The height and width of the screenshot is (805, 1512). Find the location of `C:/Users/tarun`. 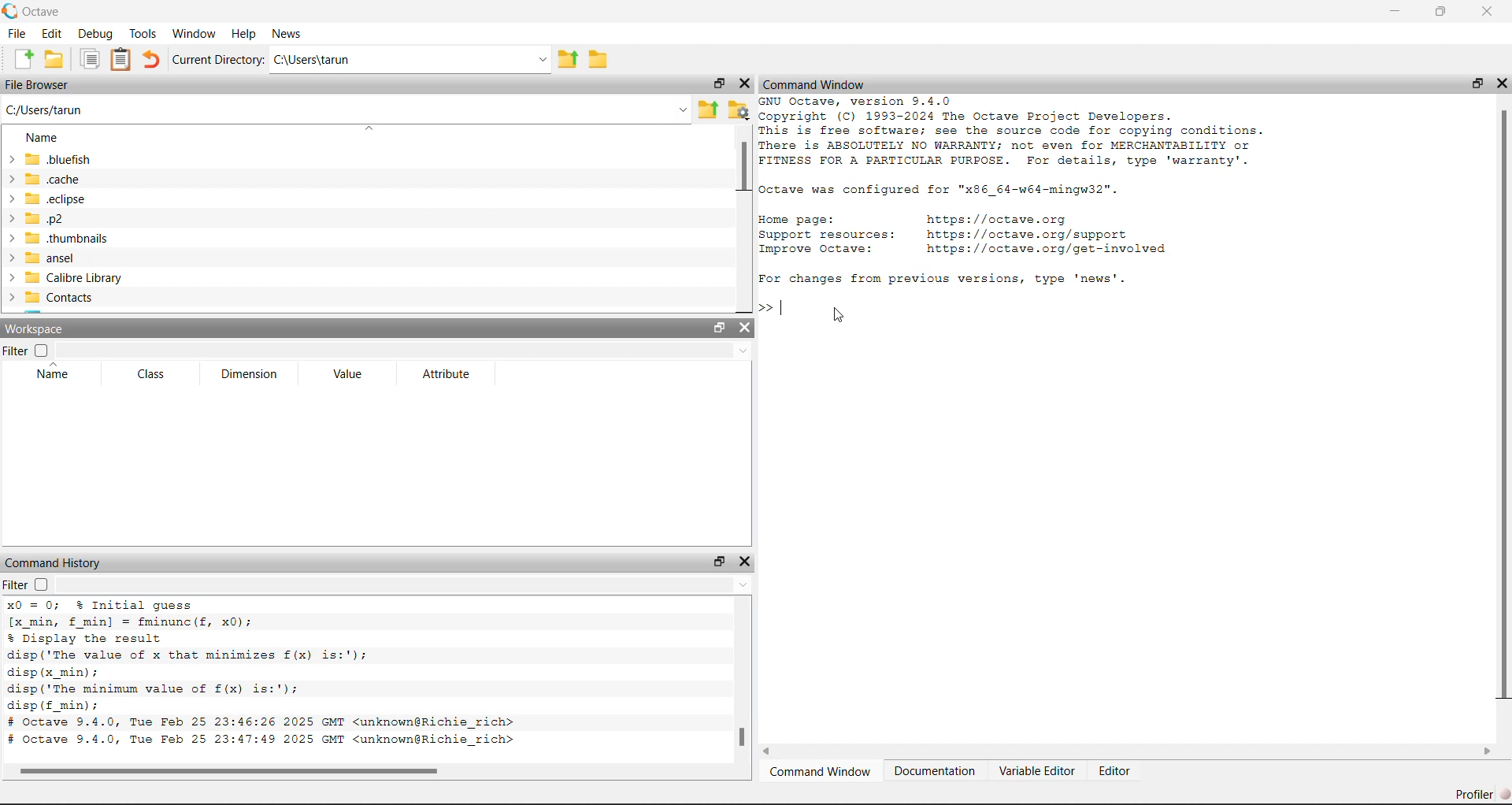

C:/Users/tarun is located at coordinates (409, 60).